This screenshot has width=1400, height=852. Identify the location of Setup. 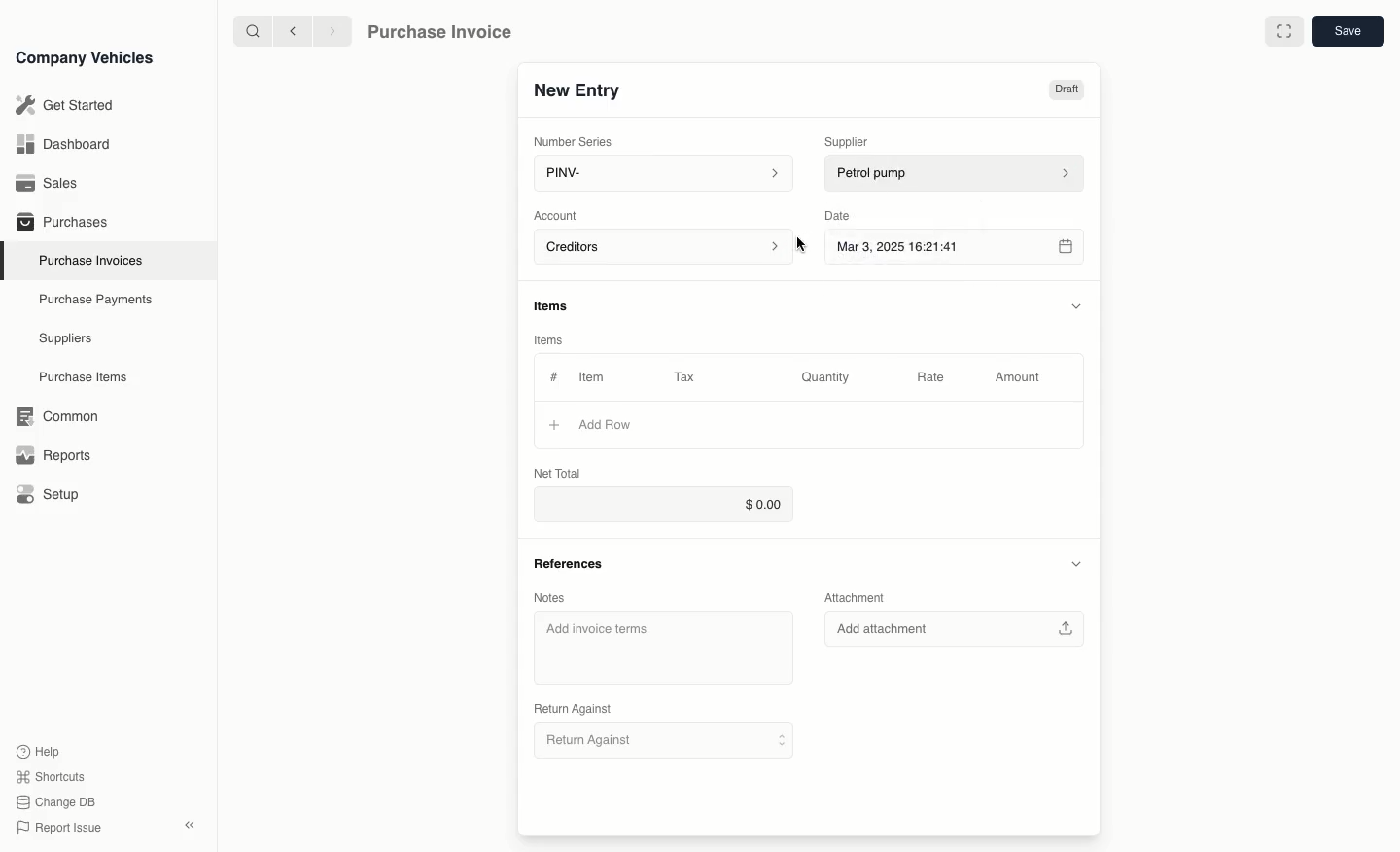
(52, 495).